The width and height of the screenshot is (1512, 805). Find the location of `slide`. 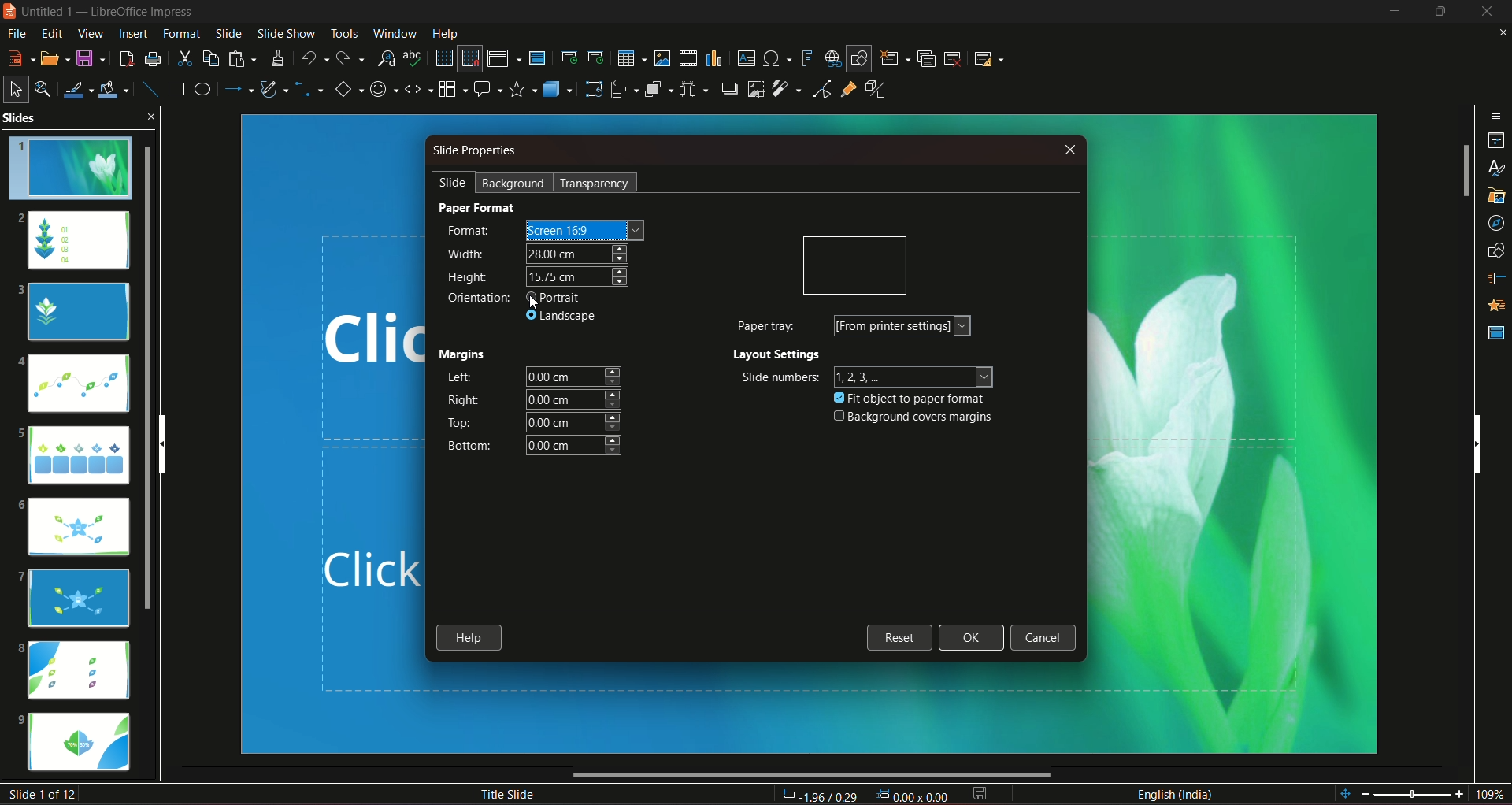

slide is located at coordinates (228, 33).